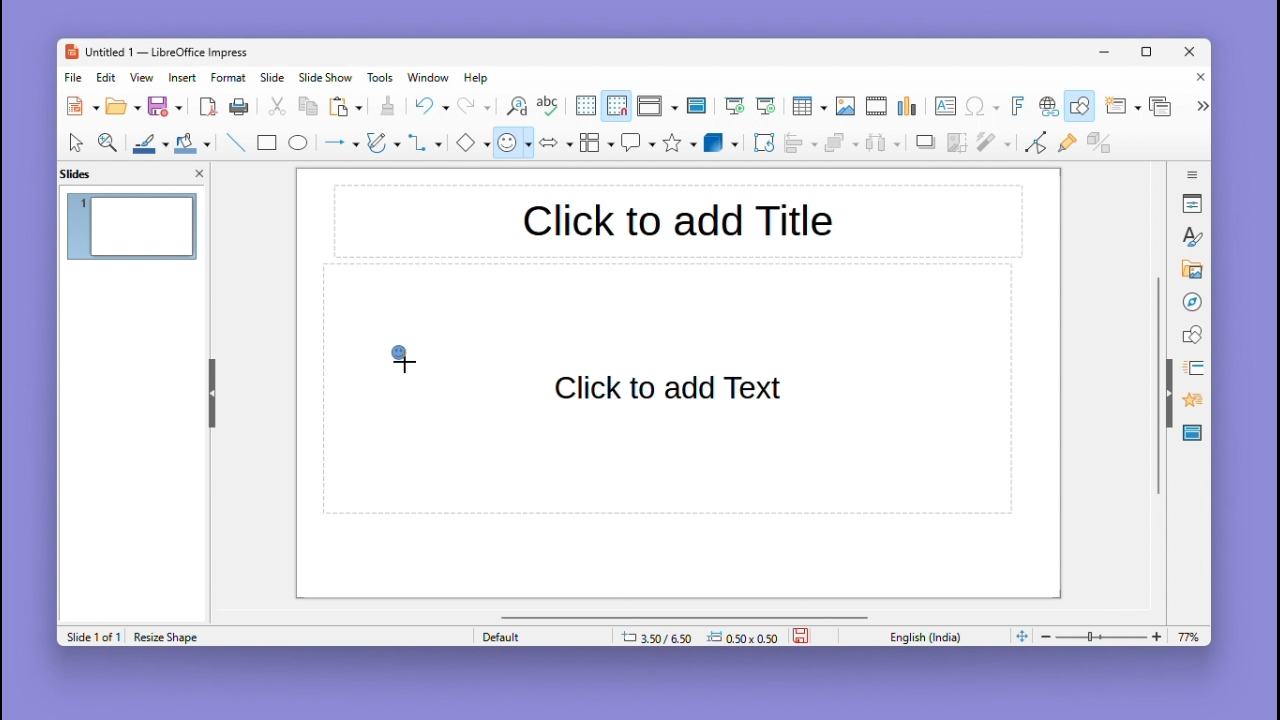 The height and width of the screenshot is (720, 1280). What do you see at coordinates (992, 148) in the screenshot?
I see `Filter` at bounding box center [992, 148].